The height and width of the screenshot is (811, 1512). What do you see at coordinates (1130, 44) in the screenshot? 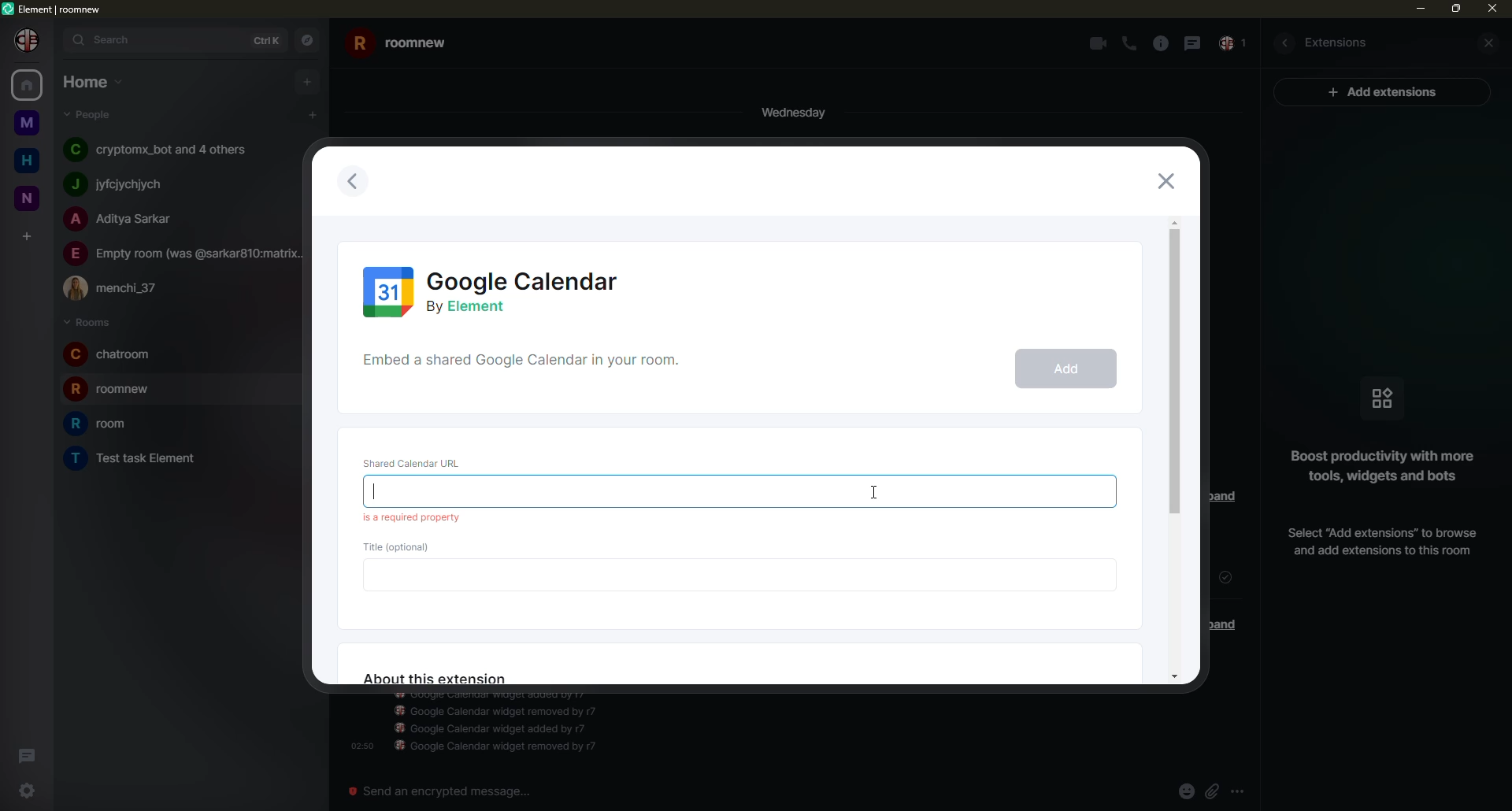
I see `call` at bounding box center [1130, 44].